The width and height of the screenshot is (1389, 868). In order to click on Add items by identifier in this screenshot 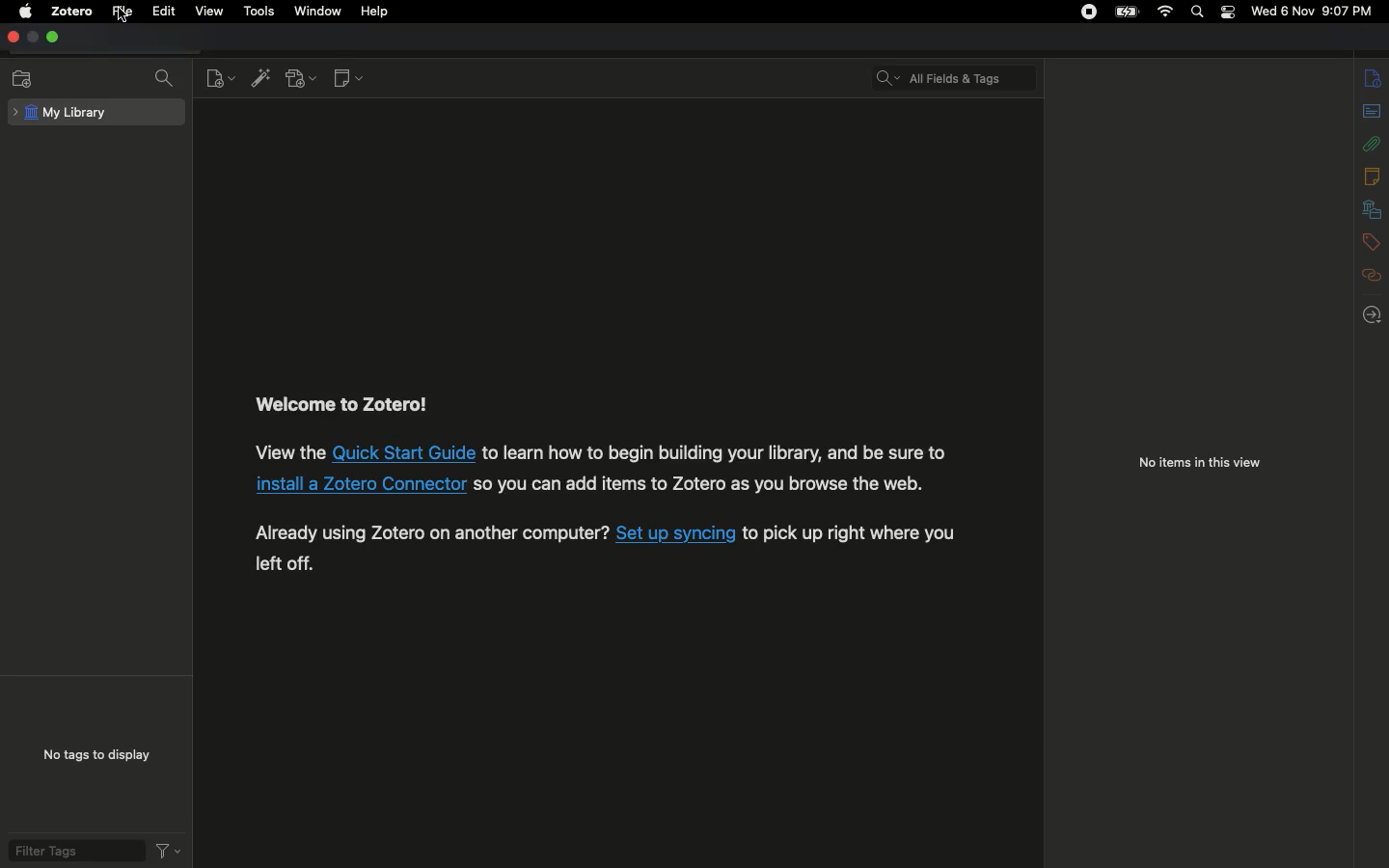, I will do `click(263, 79)`.